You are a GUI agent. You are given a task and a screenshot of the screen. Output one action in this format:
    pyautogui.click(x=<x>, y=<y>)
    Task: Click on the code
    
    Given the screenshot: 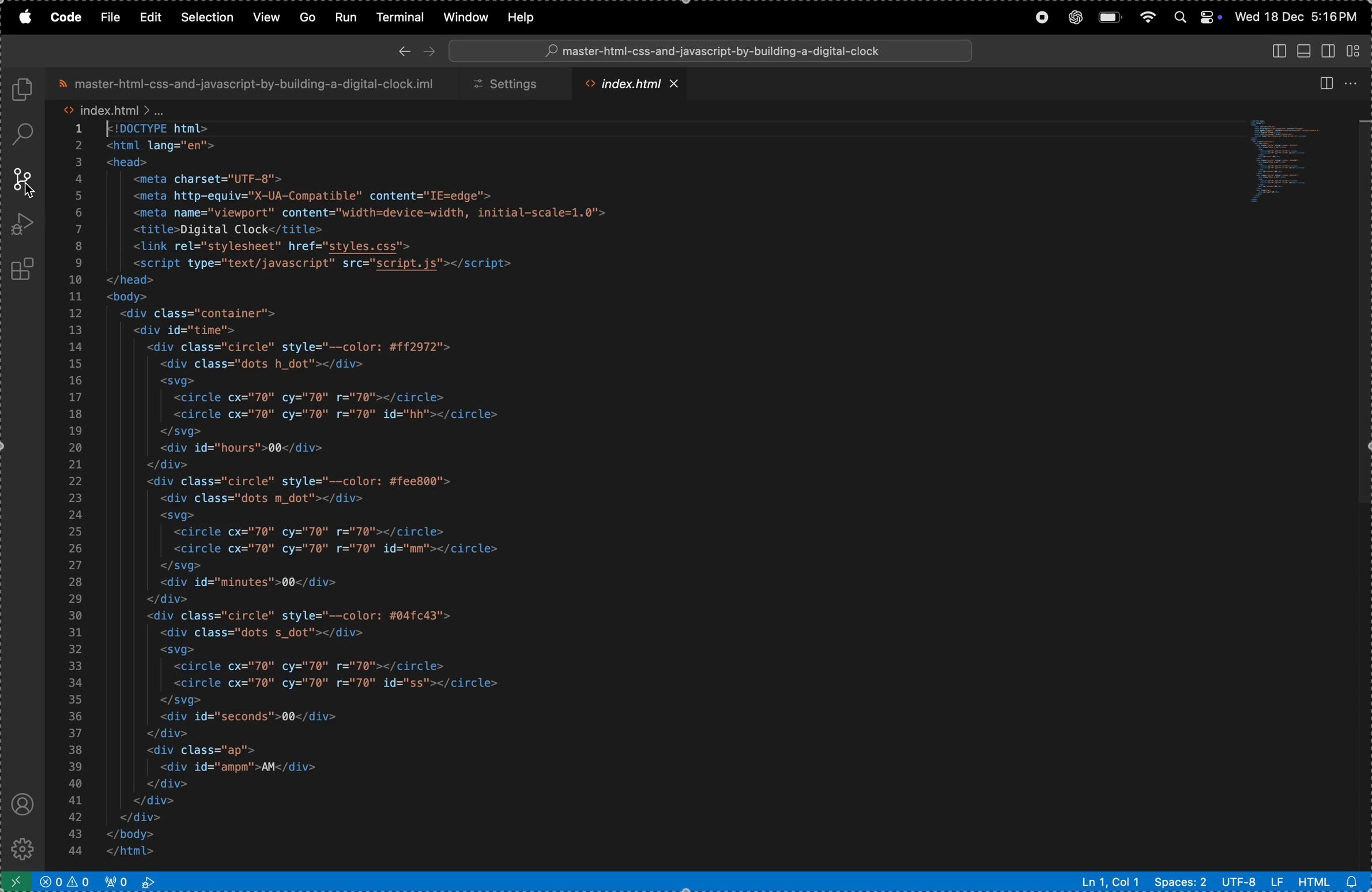 What is the action you would take?
    pyautogui.click(x=68, y=18)
    